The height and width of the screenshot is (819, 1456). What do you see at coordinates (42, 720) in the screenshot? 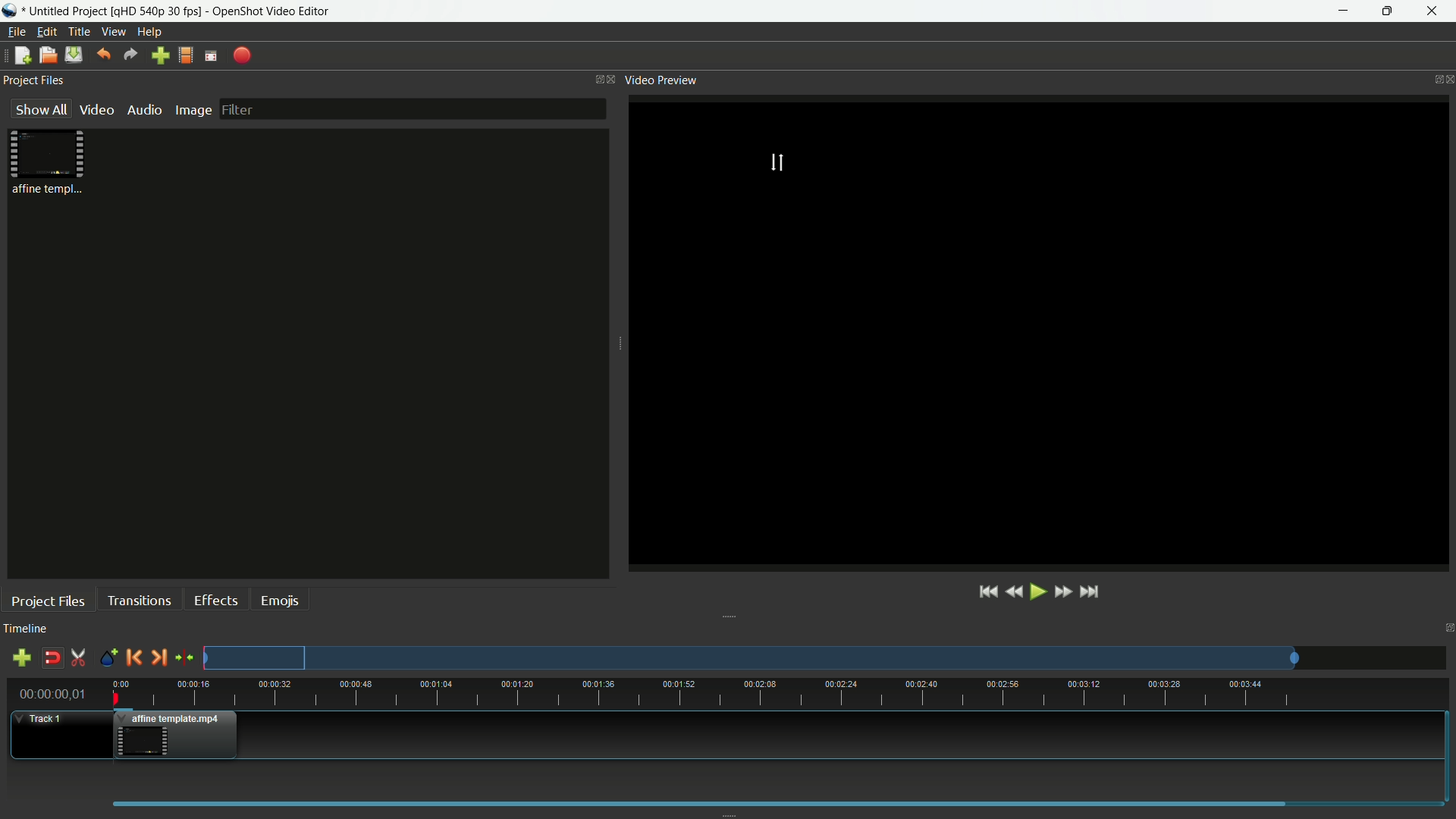
I see `track 1` at bounding box center [42, 720].